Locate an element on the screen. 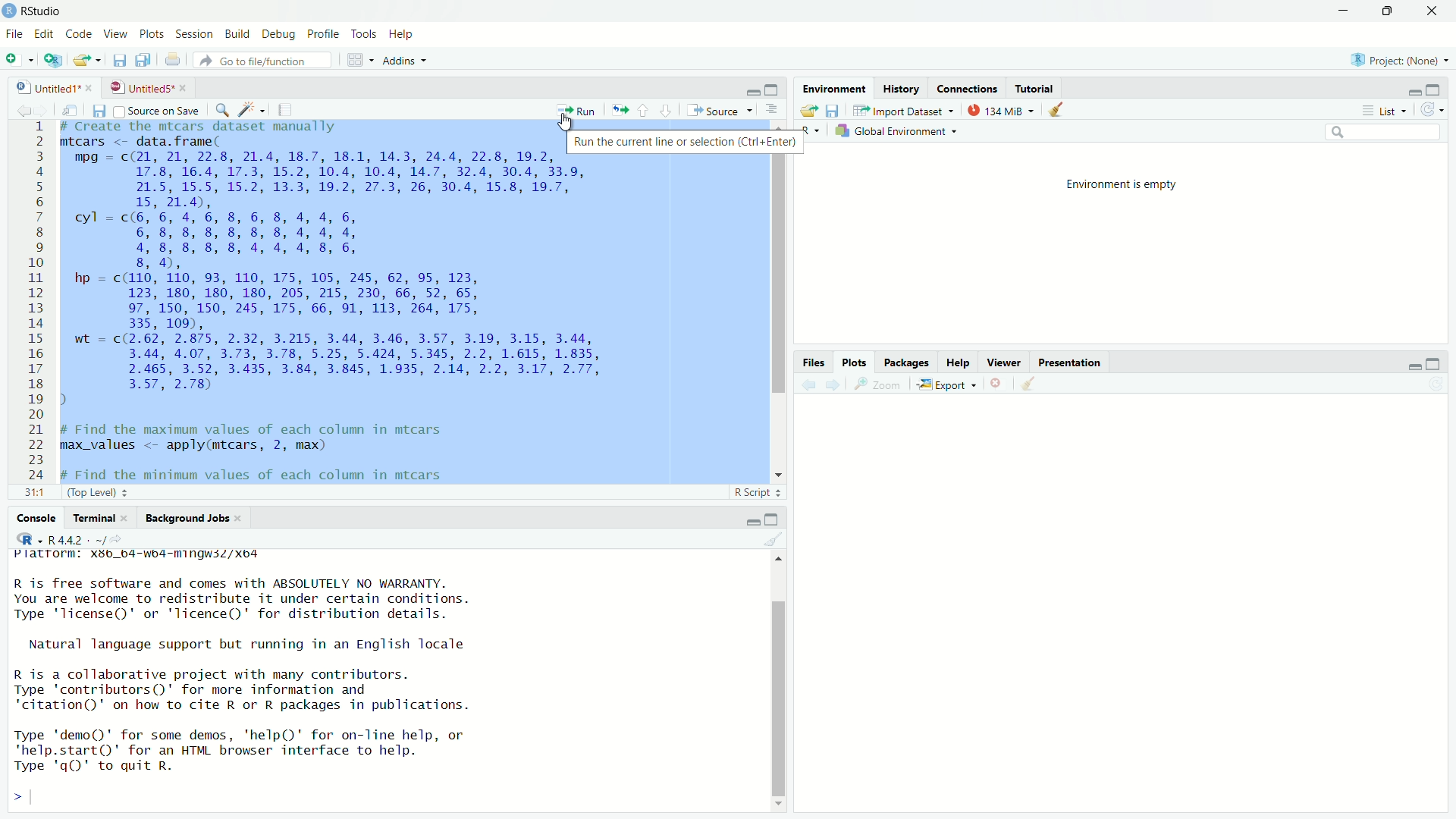  move is located at coordinates (807, 112).